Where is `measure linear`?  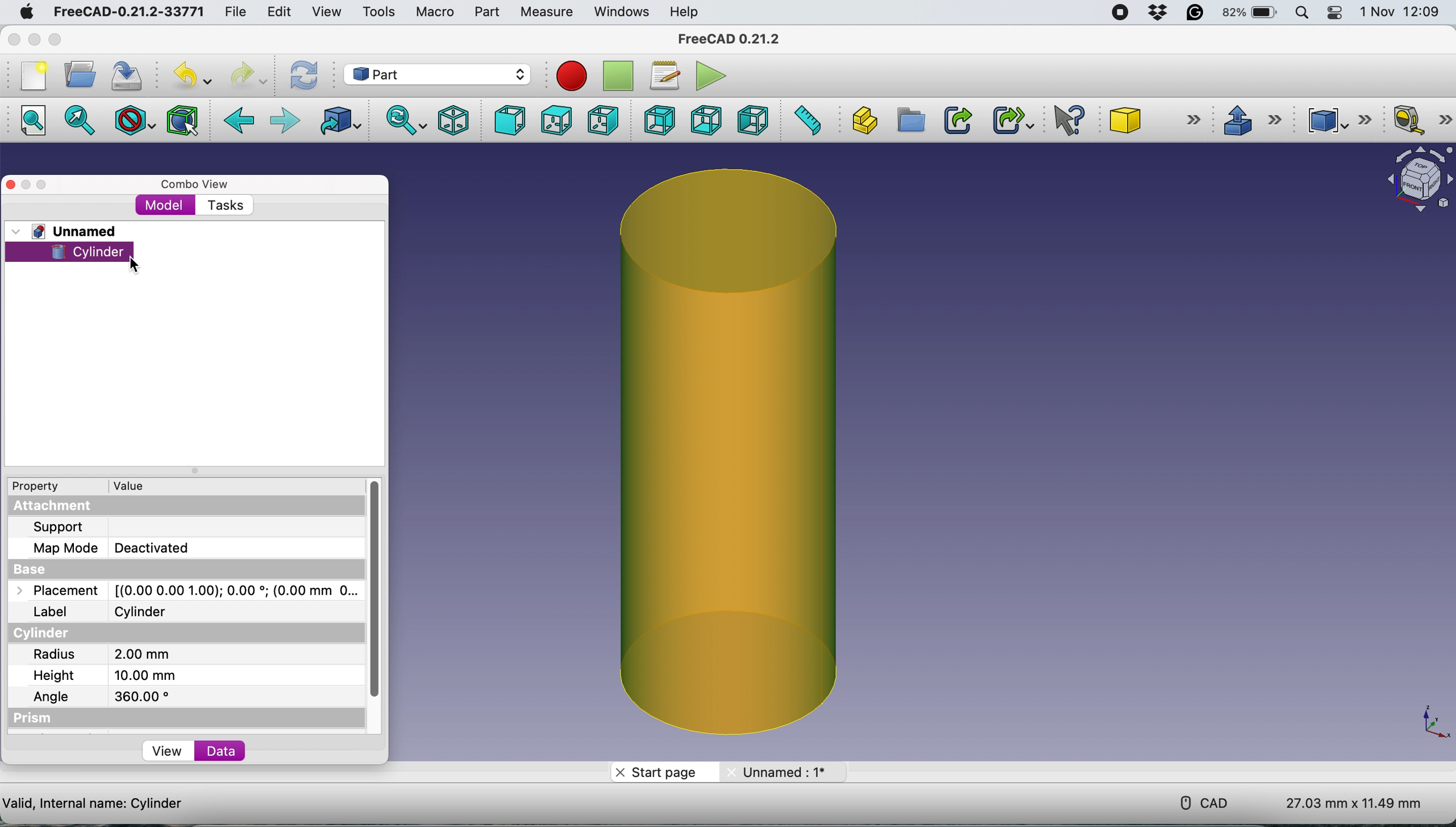
measure linear is located at coordinates (1420, 121).